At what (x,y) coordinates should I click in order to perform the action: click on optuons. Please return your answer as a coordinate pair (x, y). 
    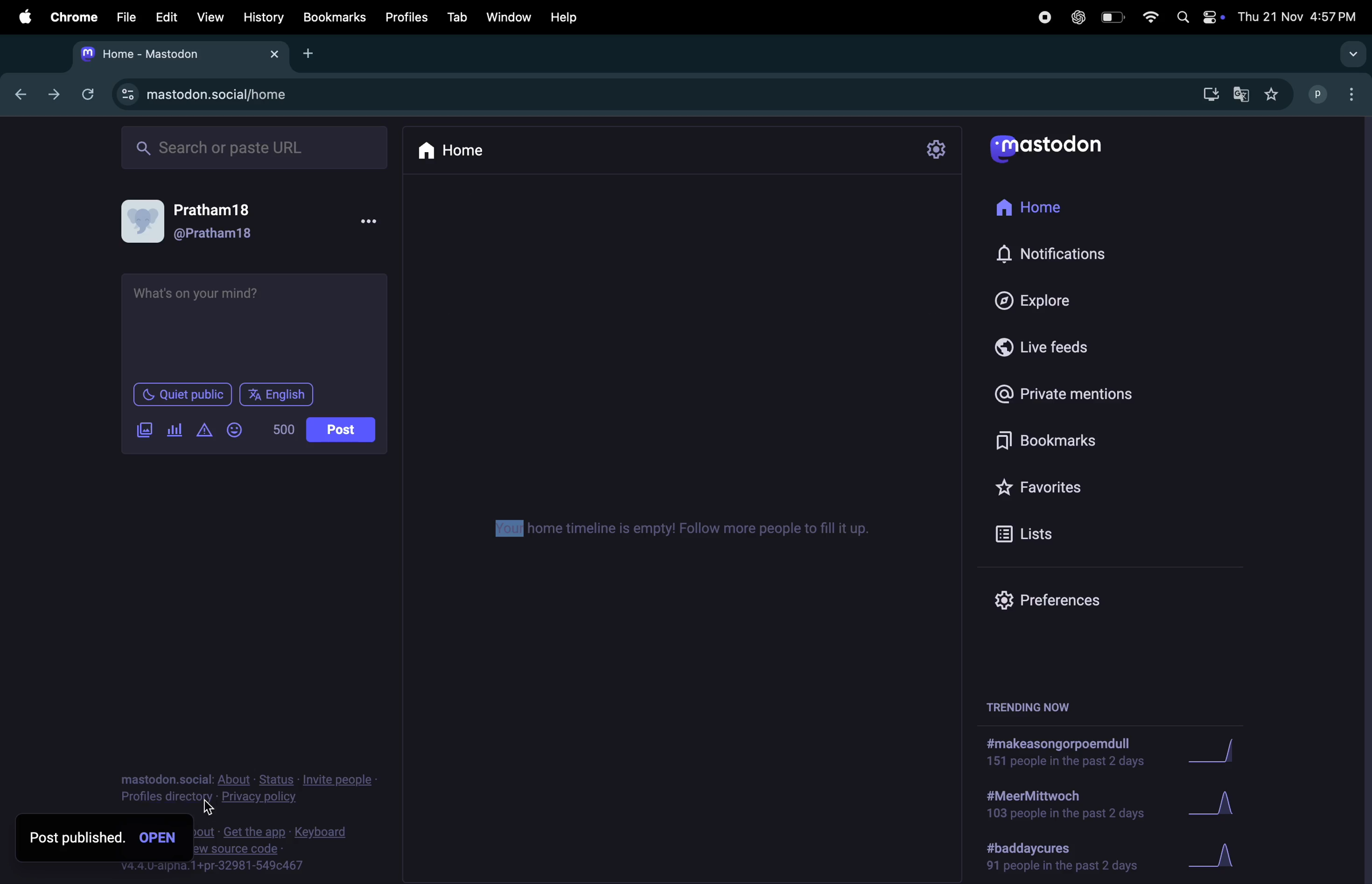
    Looking at the image, I should click on (1354, 93).